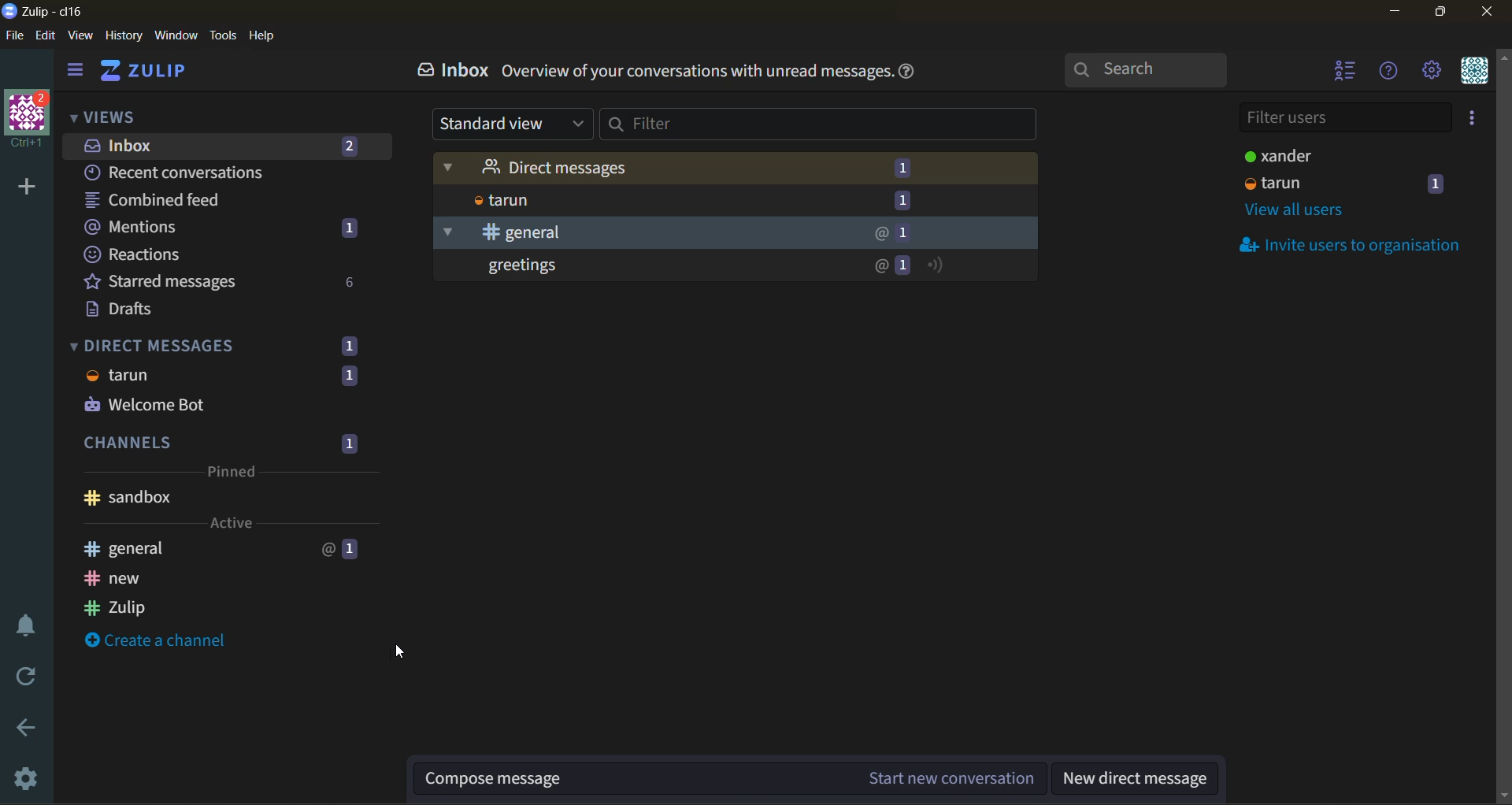  I want to click on reload, so click(20, 678).